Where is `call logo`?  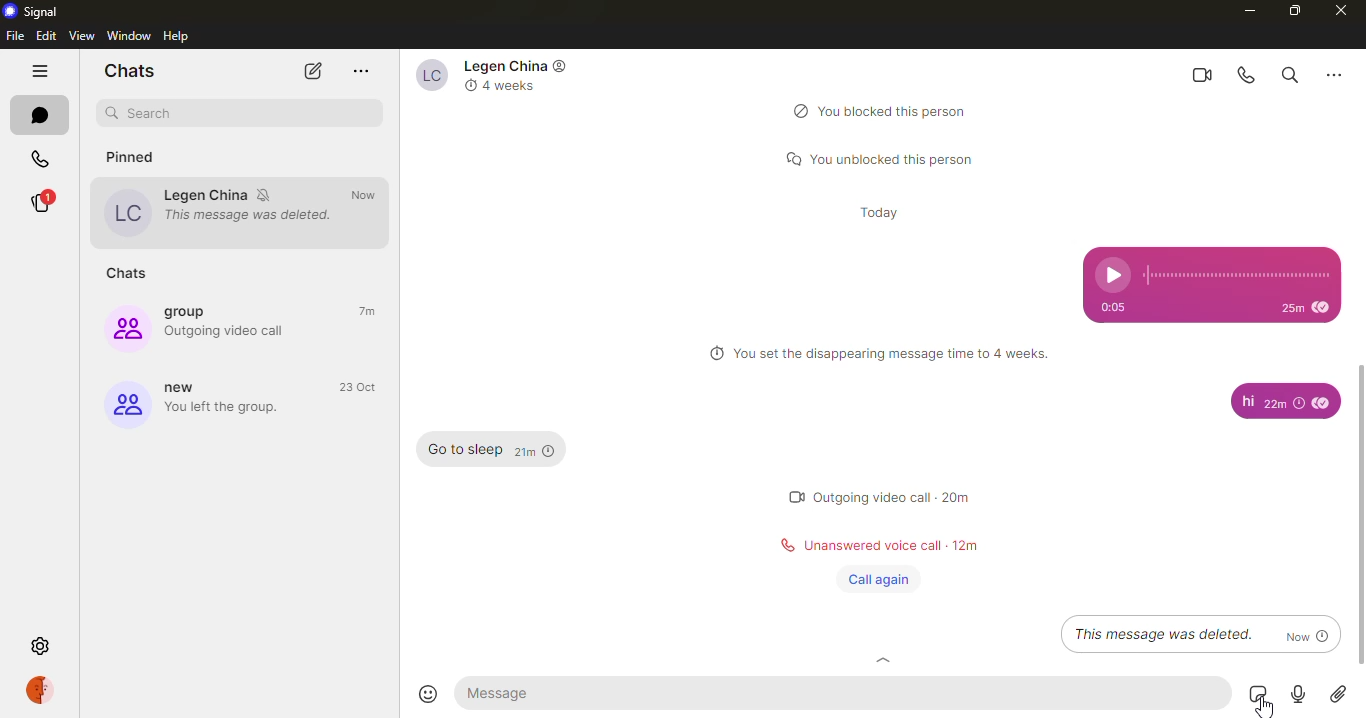
call logo is located at coordinates (781, 547).